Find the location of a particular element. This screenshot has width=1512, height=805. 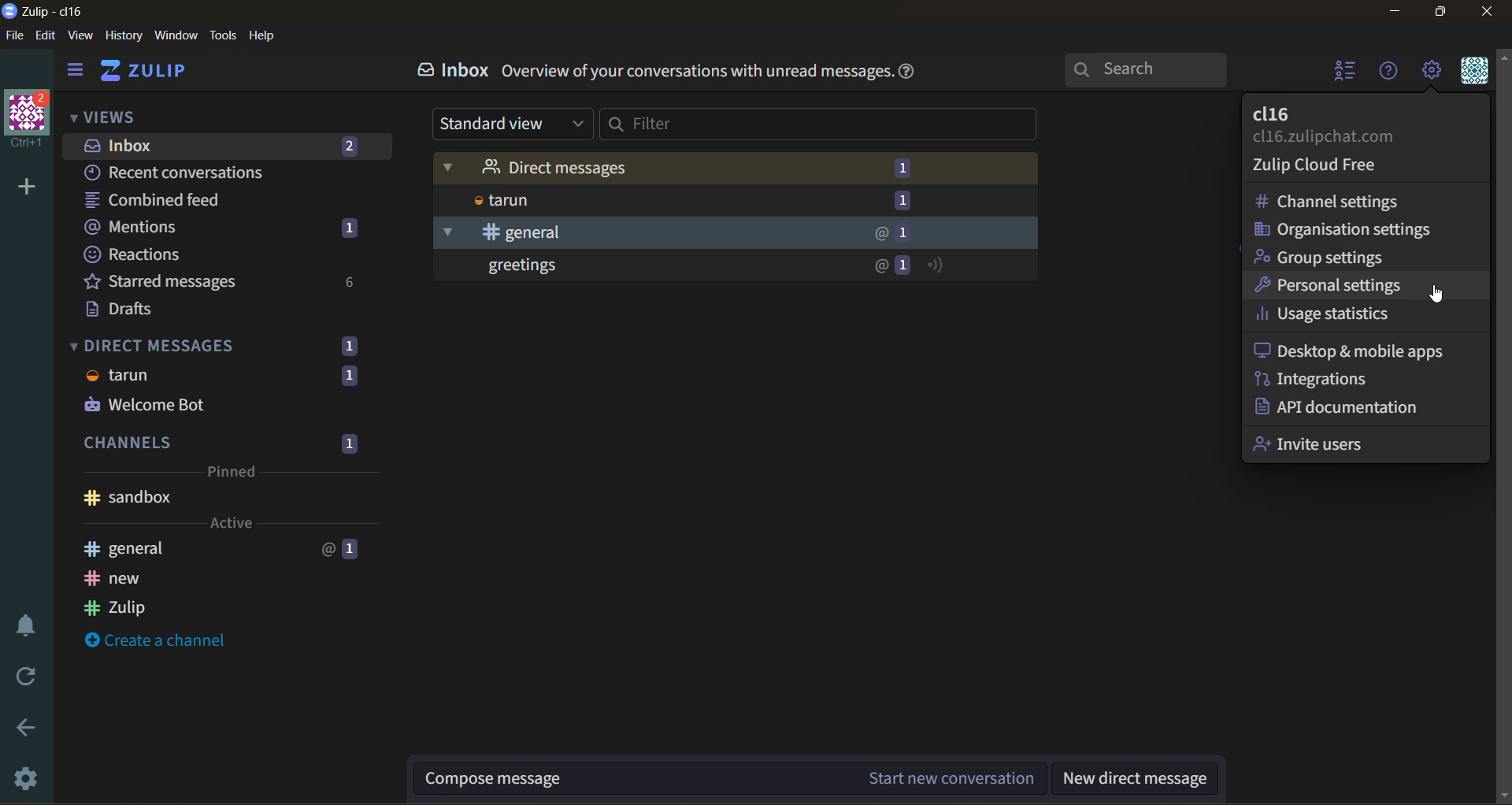

reload is located at coordinates (25, 677).